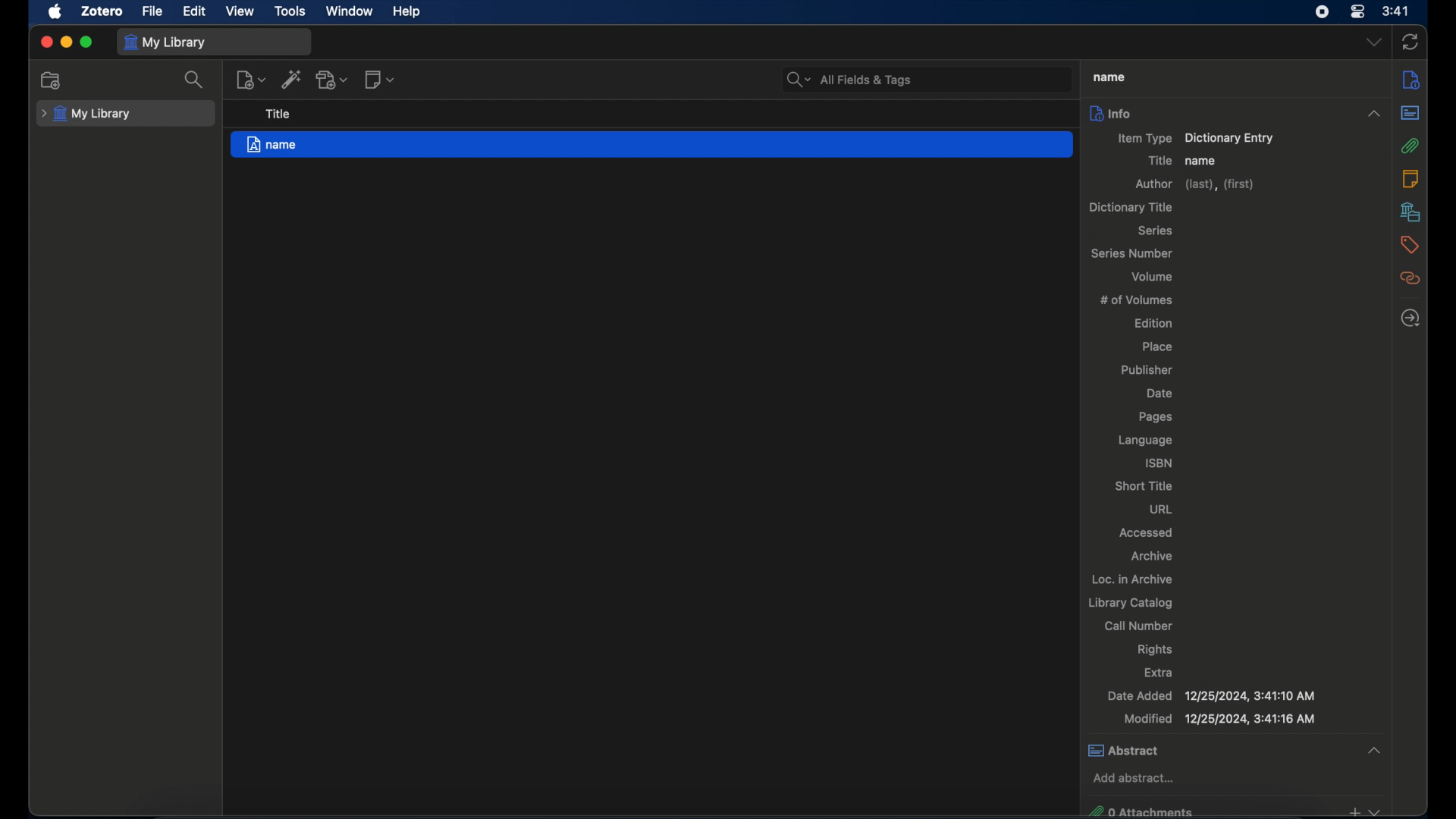  What do you see at coordinates (1134, 253) in the screenshot?
I see `series number` at bounding box center [1134, 253].